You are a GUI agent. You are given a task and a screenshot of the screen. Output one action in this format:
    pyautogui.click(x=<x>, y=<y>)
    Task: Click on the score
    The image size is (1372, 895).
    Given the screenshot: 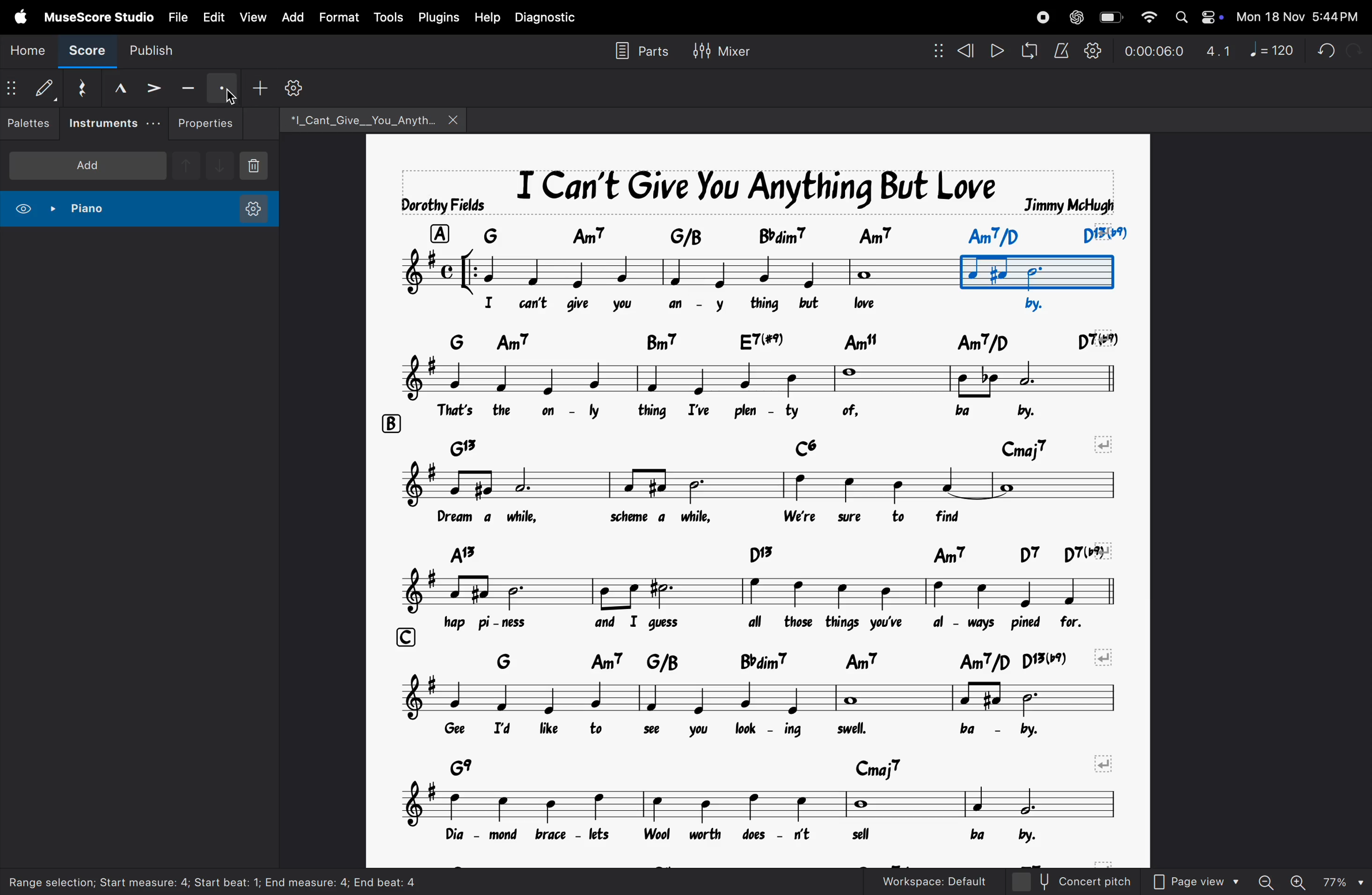 What is the action you would take?
    pyautogui.click(x=84, y=54)
    